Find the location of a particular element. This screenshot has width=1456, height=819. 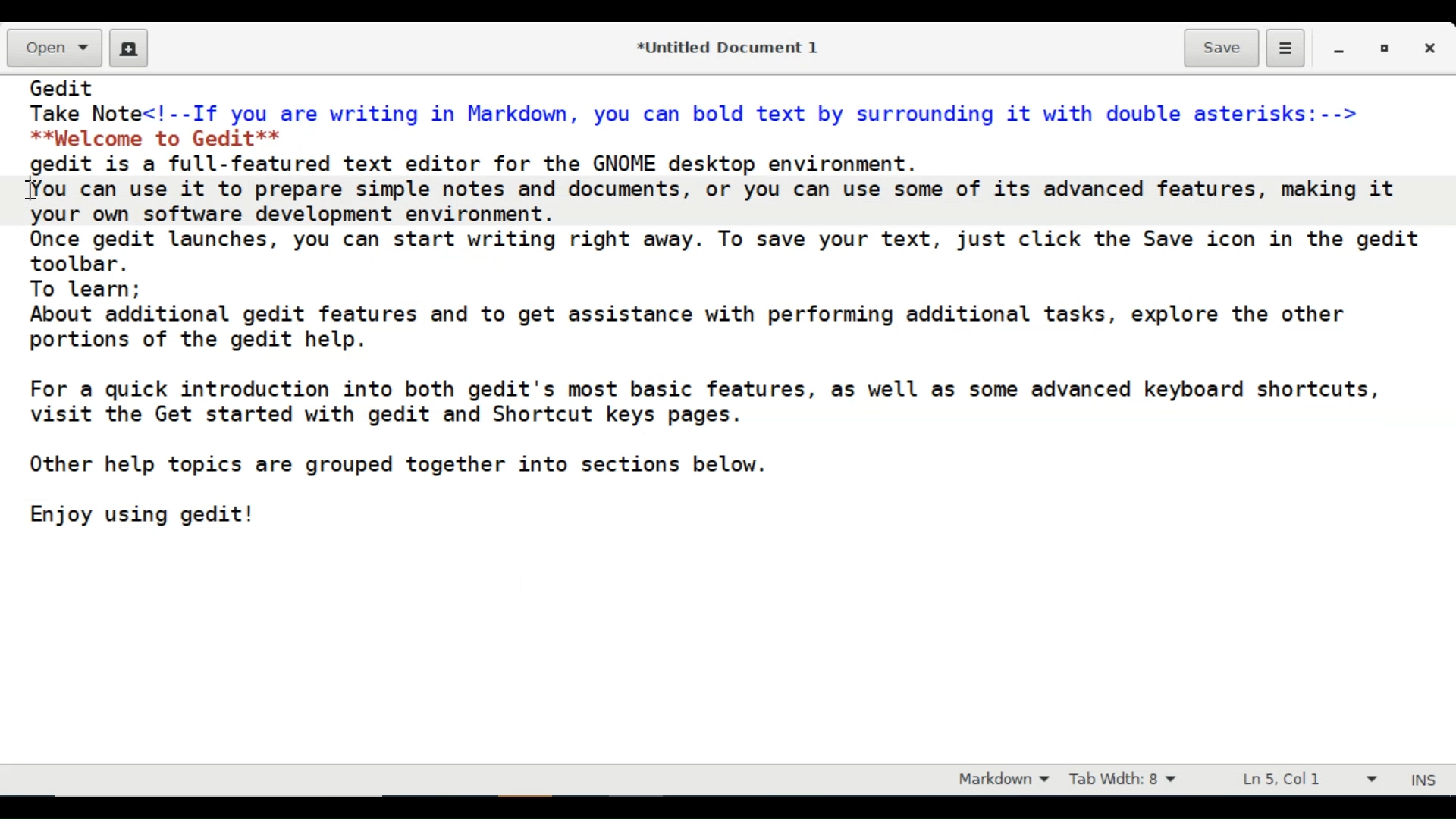

restore is located at coordinates (1382, 48).